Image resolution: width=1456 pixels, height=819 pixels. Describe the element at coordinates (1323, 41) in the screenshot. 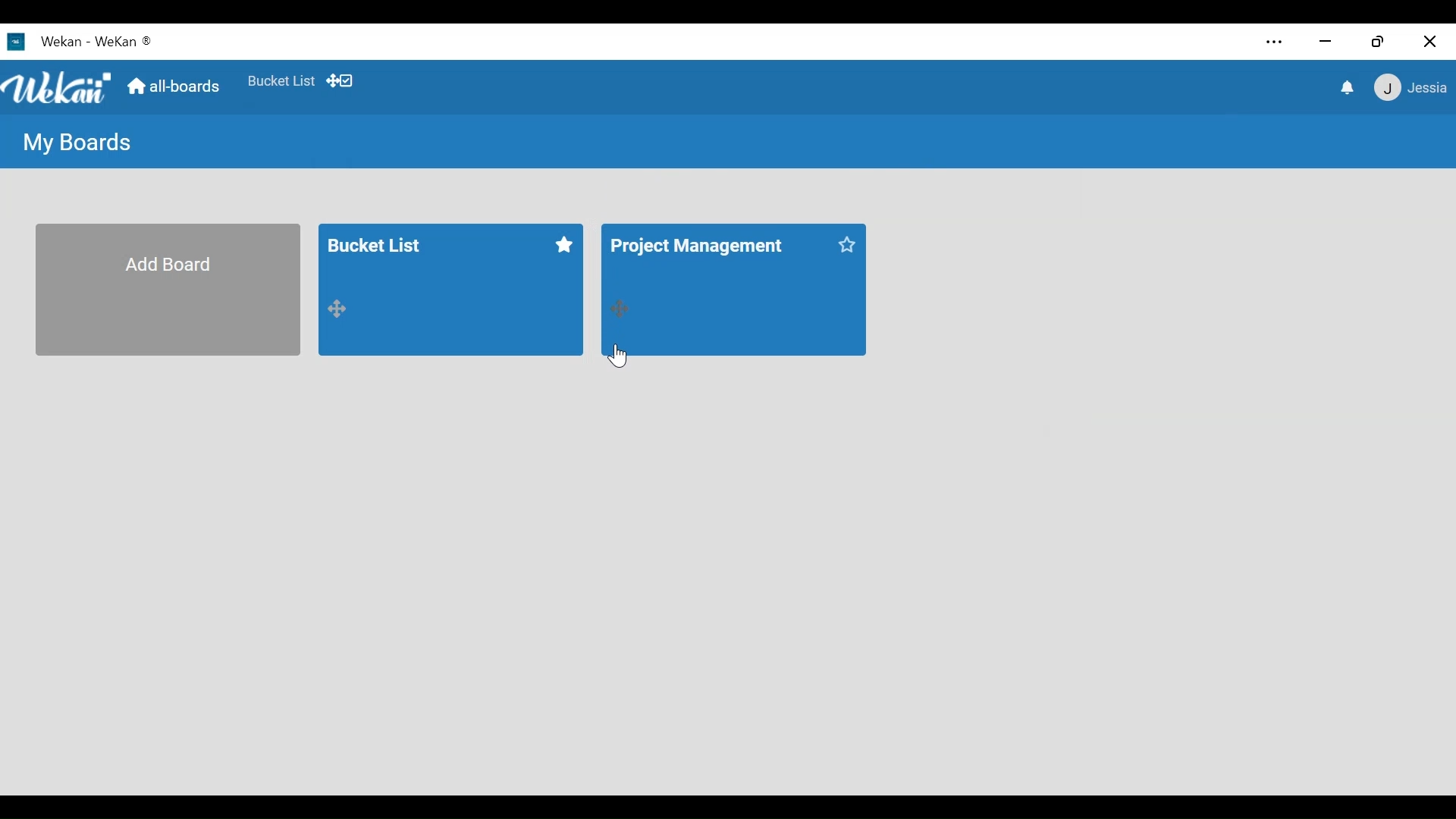

I see `minimize` at that location.